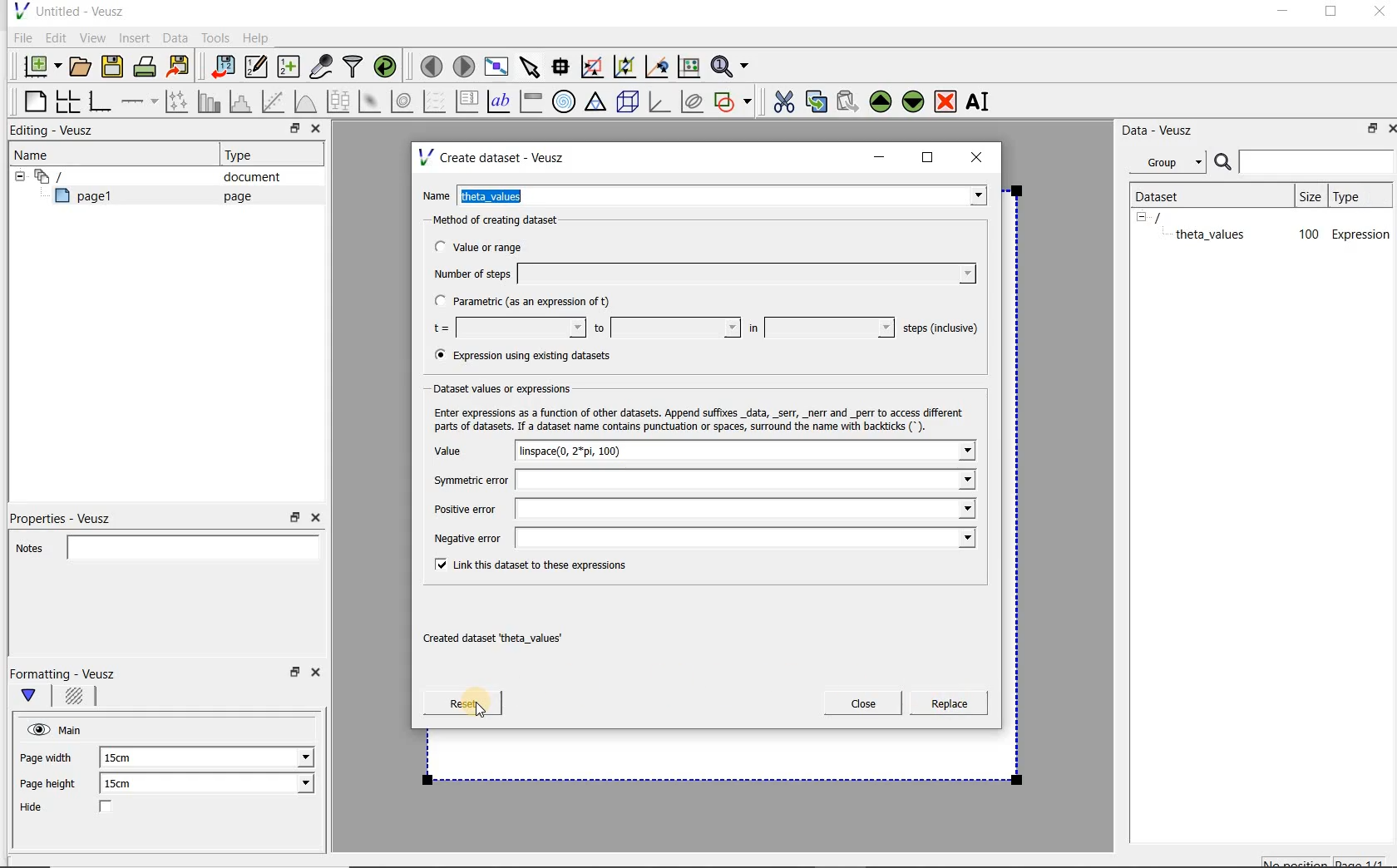 The image size is (1397, 868). What do you see at coordinates (689, 66) in the screenshot?
I see `click to reset graph axes` at bounding box center [689, 66].